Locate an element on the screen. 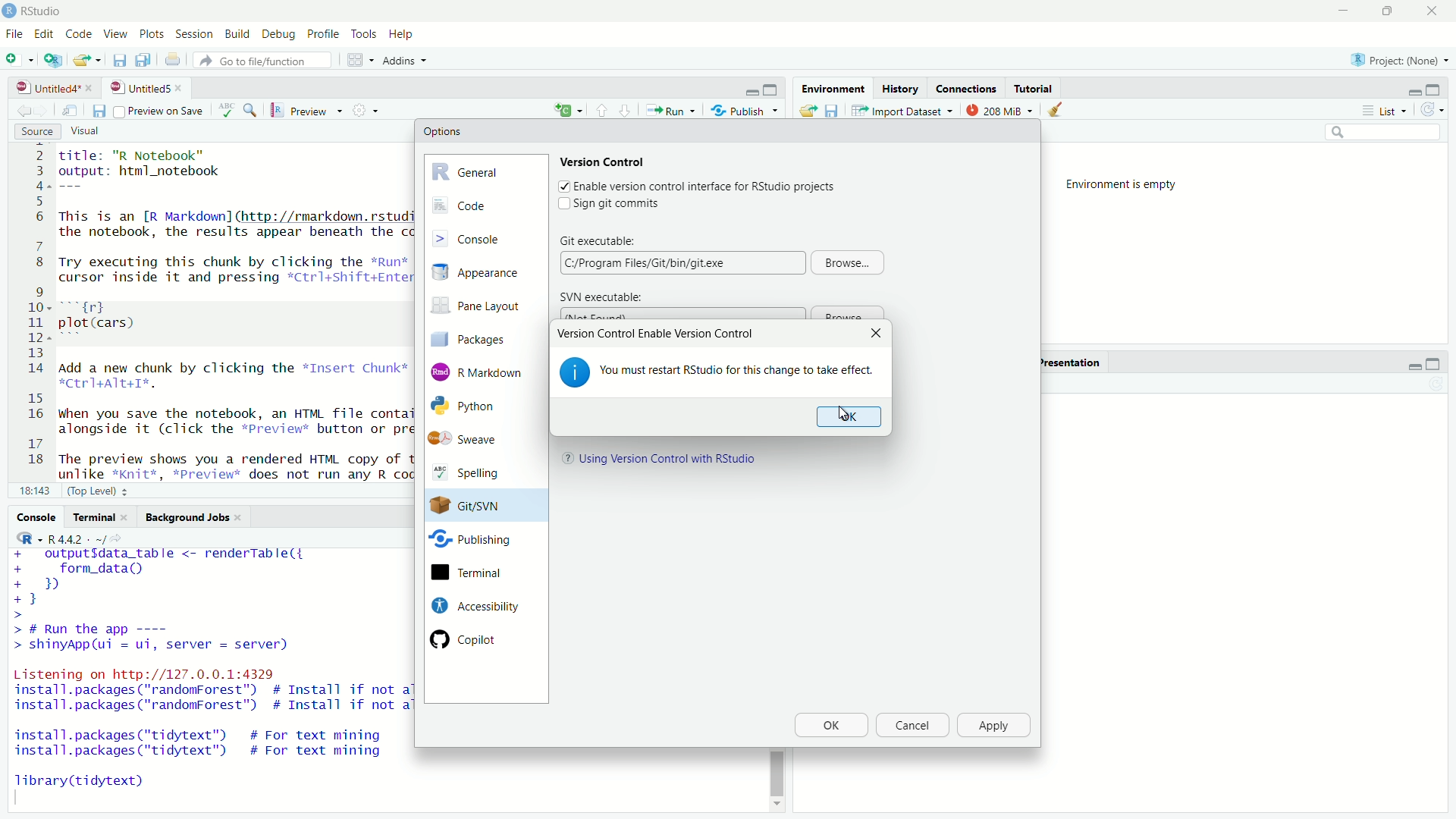 This screenshot has width=1456, height=819. show in new window is located at coordinates (70, 111).